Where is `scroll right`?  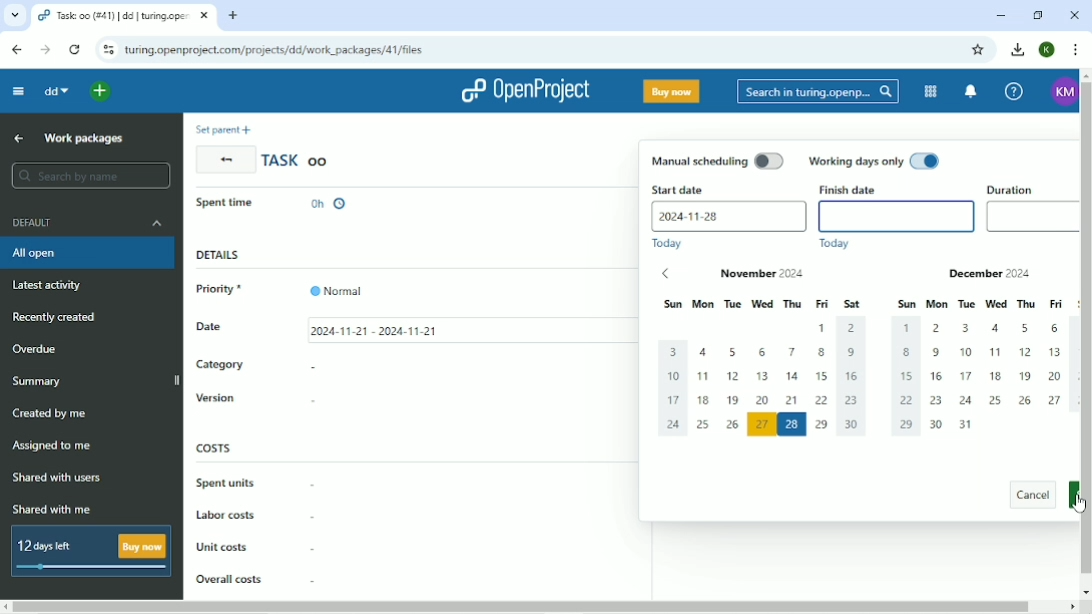
scroll right is located at coordinates (1069, 607).